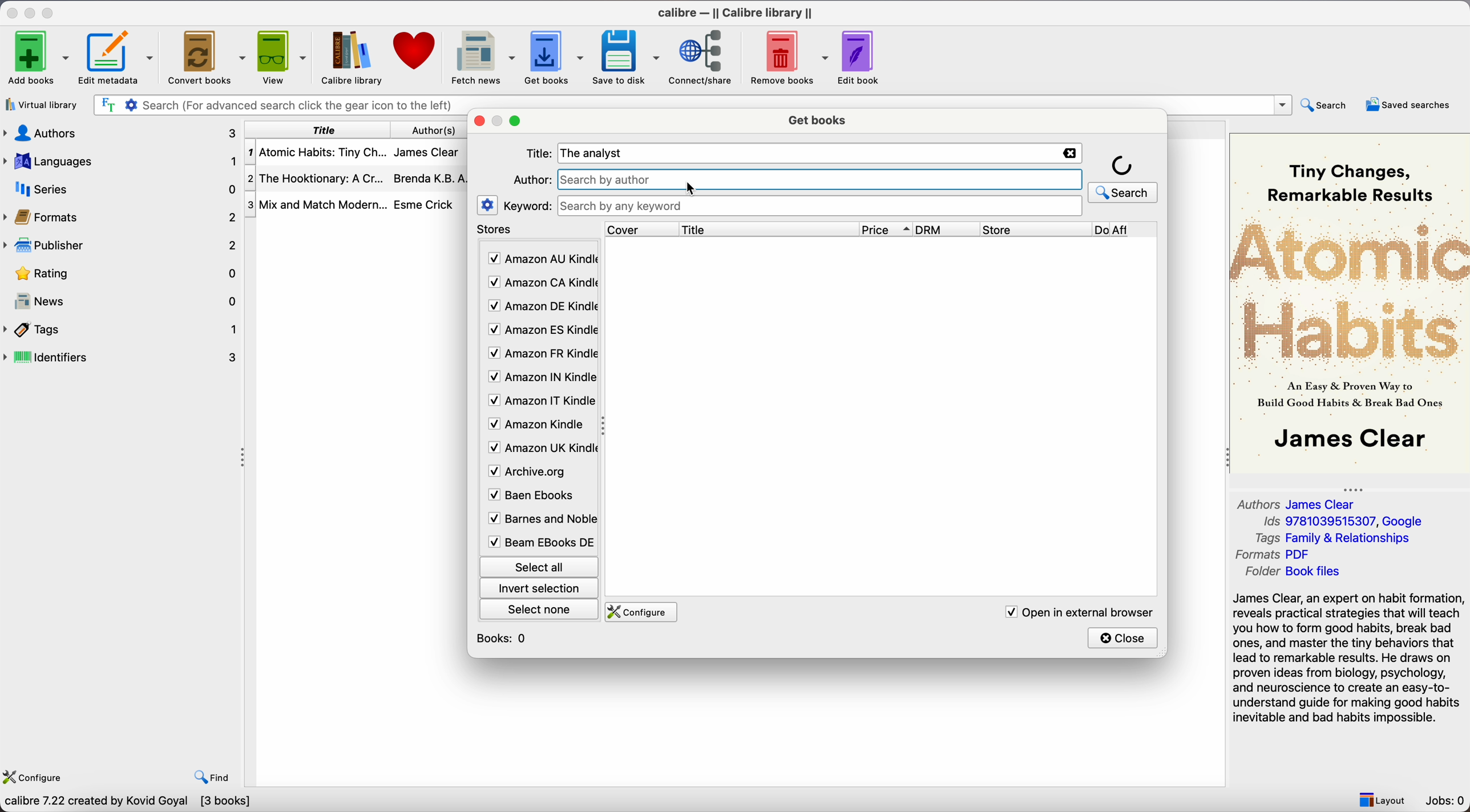  Describe the element at coordinates (41, 106) in the screenshot. I see `virtual library` at that location.